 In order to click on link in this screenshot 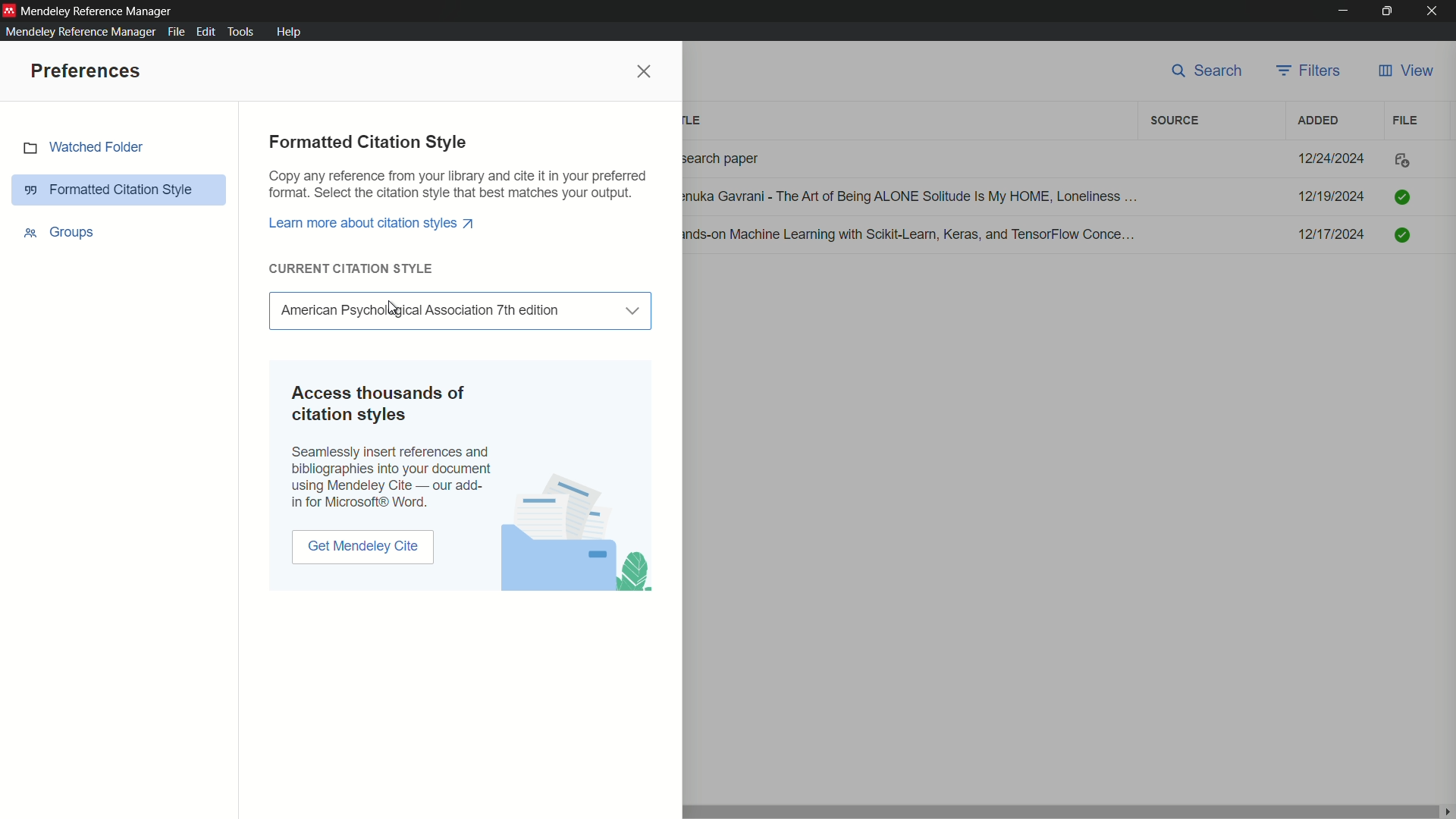, I will do `click(375, 222)`.